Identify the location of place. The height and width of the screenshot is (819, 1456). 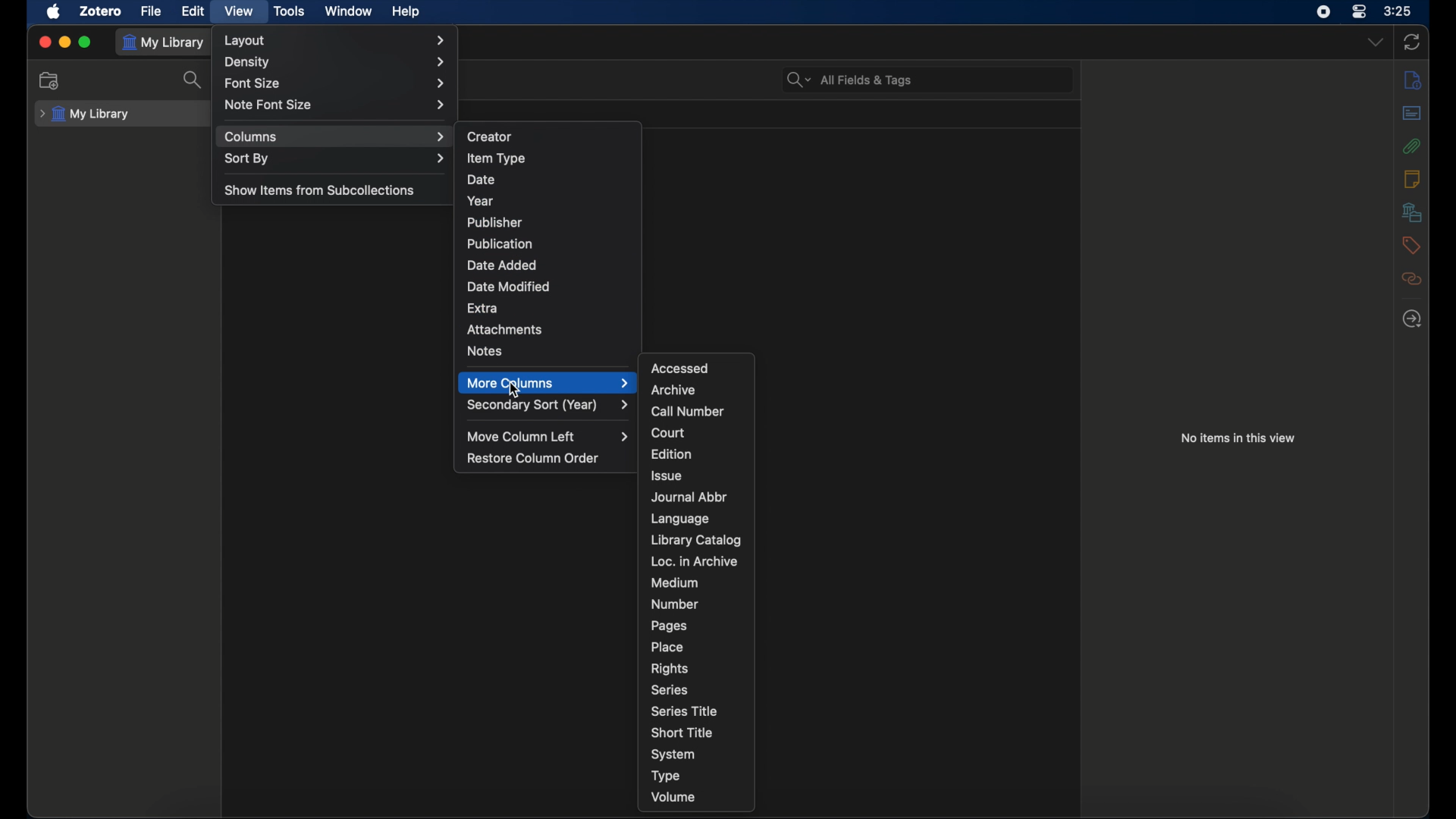
(667, 647).